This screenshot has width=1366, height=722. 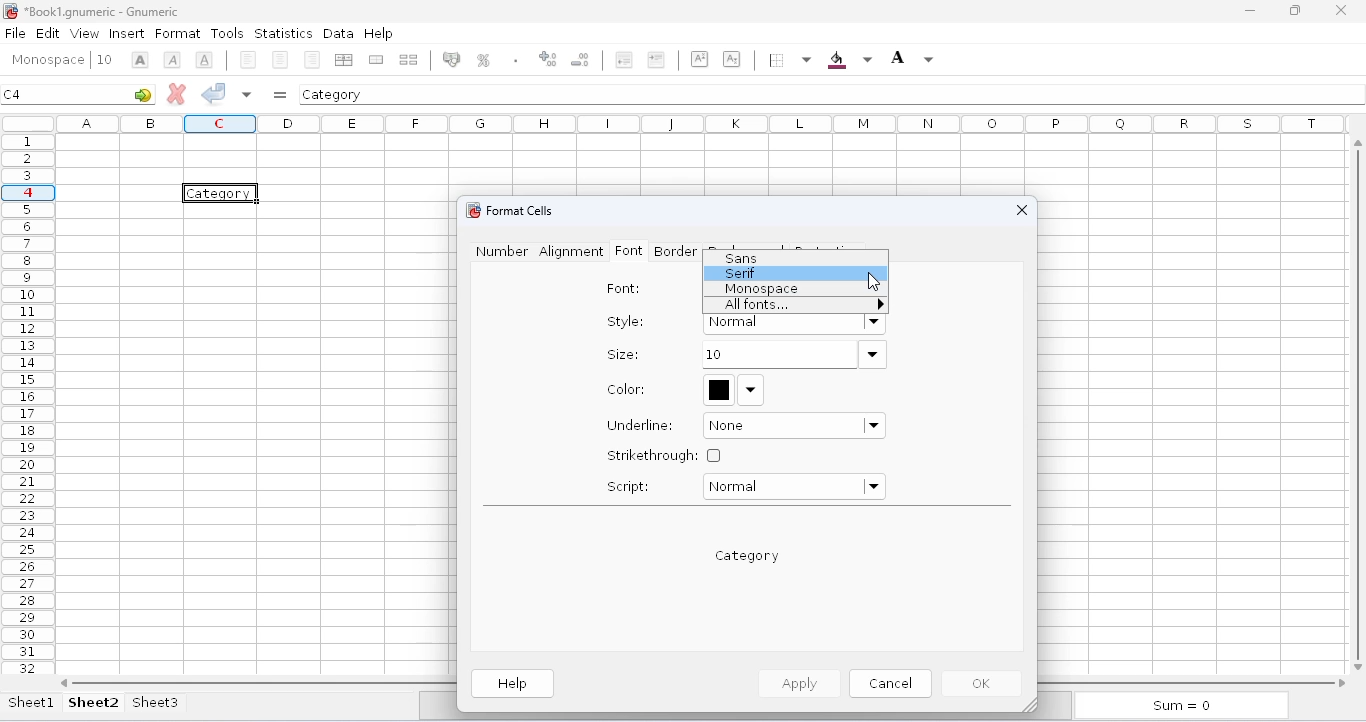 What do you see at coordinates (222, 193) in the screenshot?
I see `Category` at bounding box center [222, 193].